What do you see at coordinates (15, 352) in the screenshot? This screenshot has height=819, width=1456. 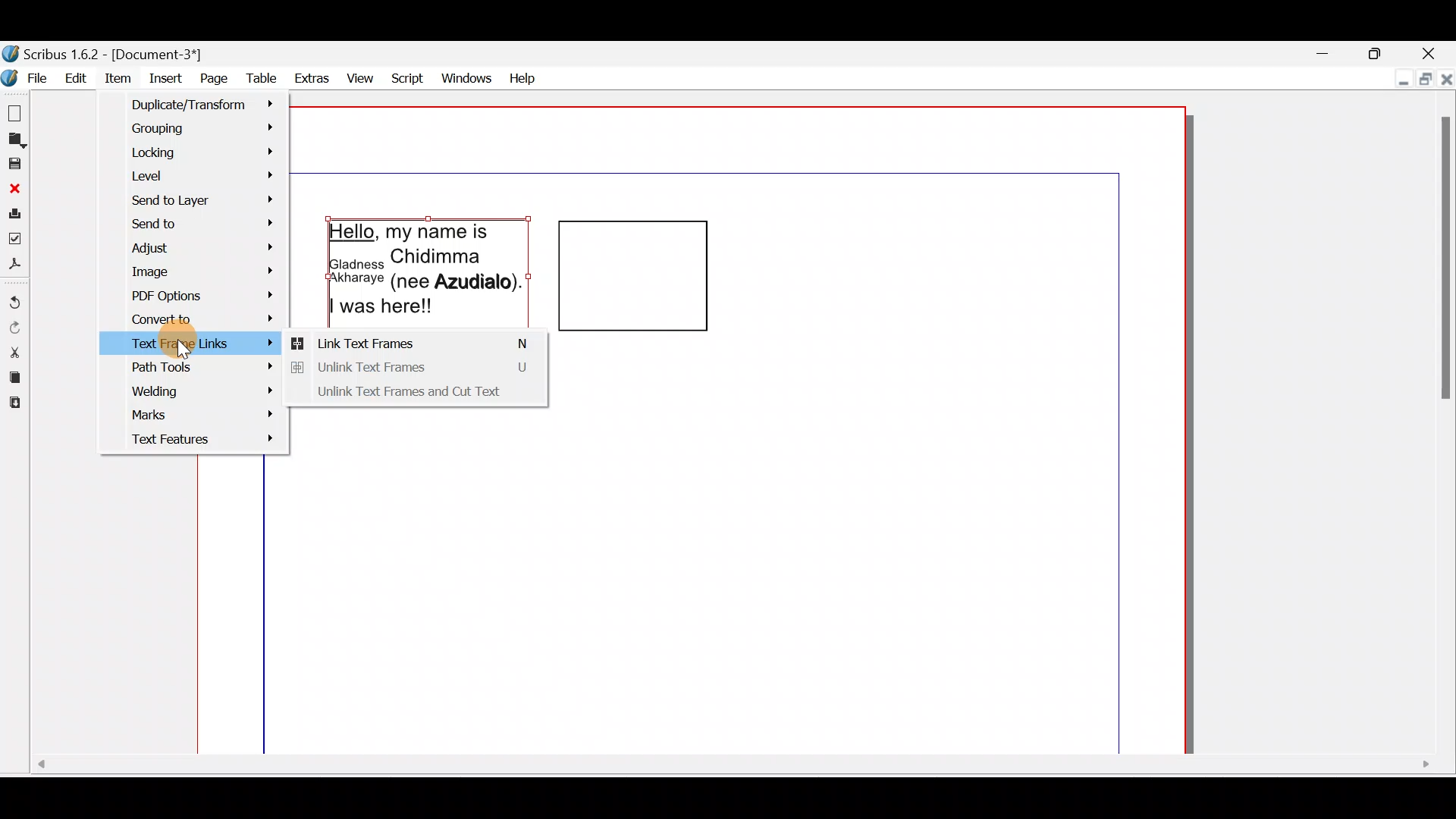 I see `Cut` at bounding box center [15, 352].